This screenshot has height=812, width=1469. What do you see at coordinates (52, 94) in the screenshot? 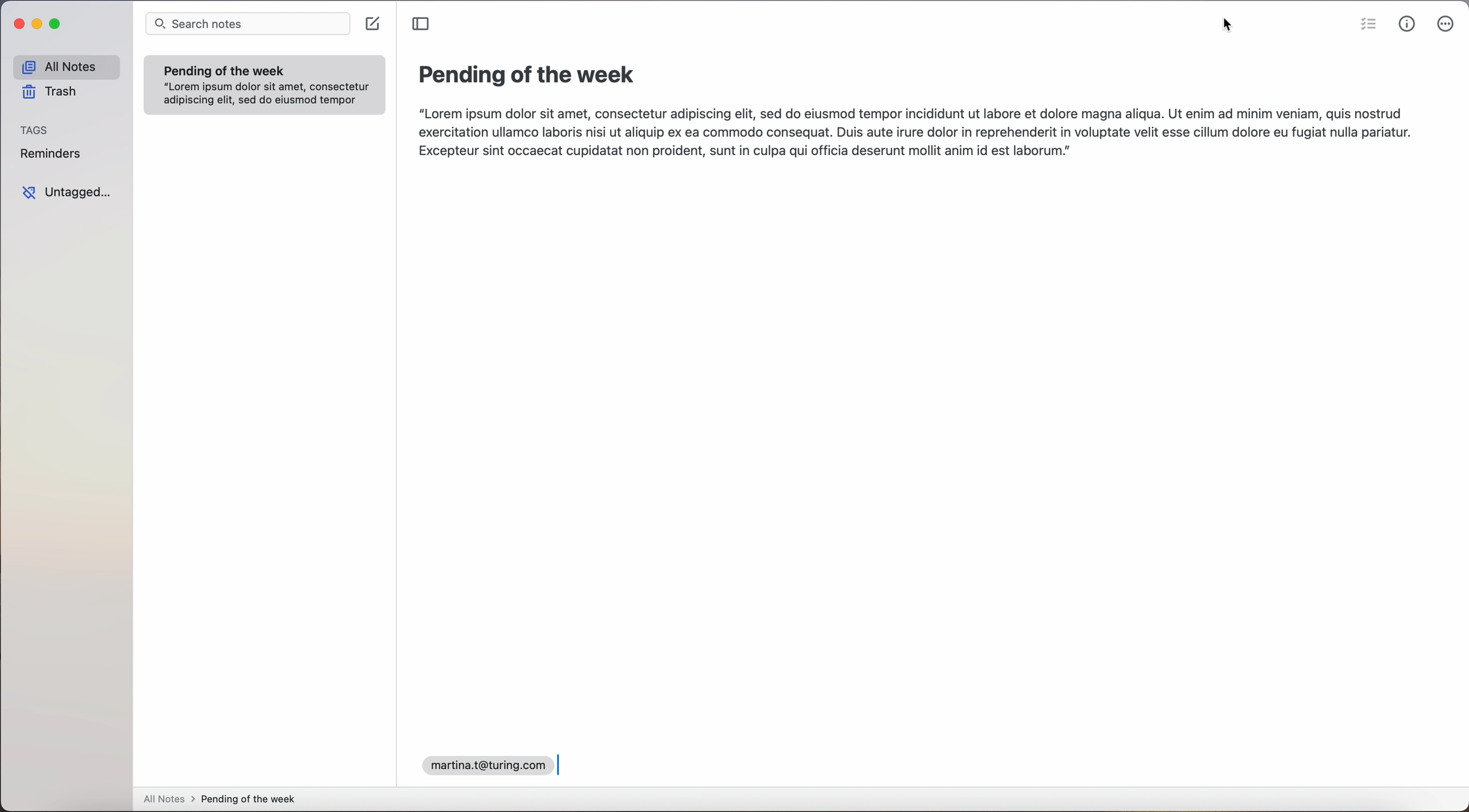
I see `trash` at bounding box center [52, 94].